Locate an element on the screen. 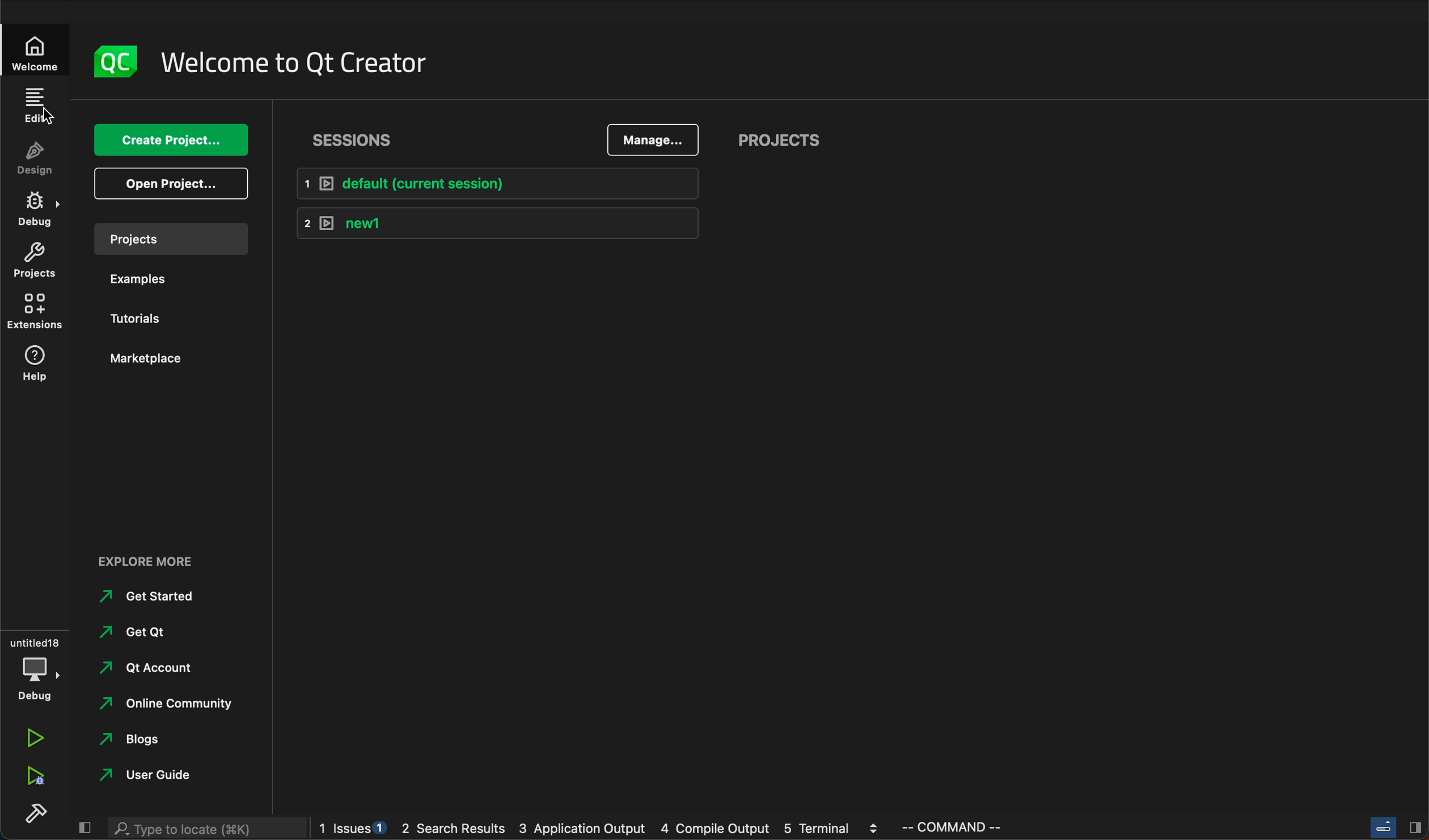 This screenshot has width=1429, height=840. close slidebar is located at coordinates (84, 829).